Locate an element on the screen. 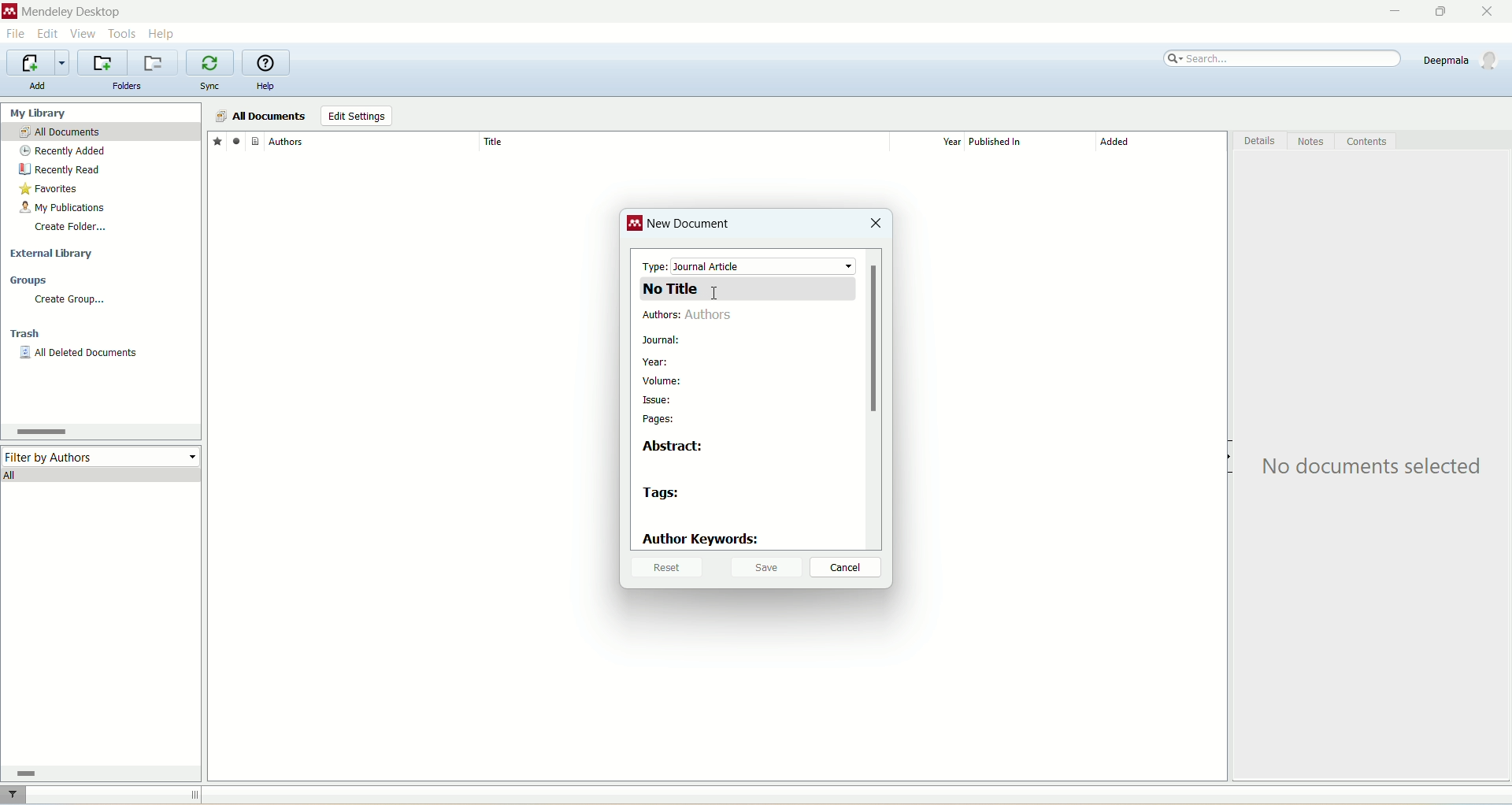 Image resolution: width=1512 pixels, height=805 pixels. published in is located at coordinates (1024, 142).